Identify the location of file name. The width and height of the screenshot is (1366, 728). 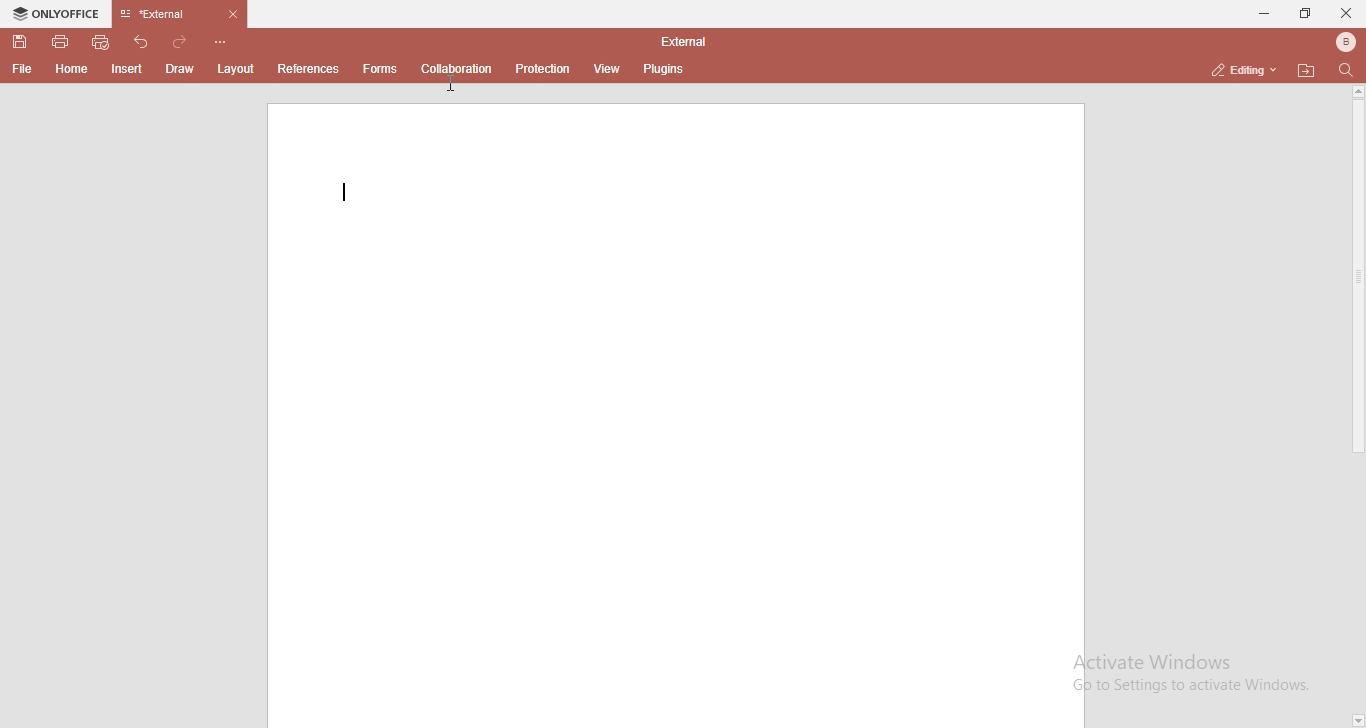
(683, 40).